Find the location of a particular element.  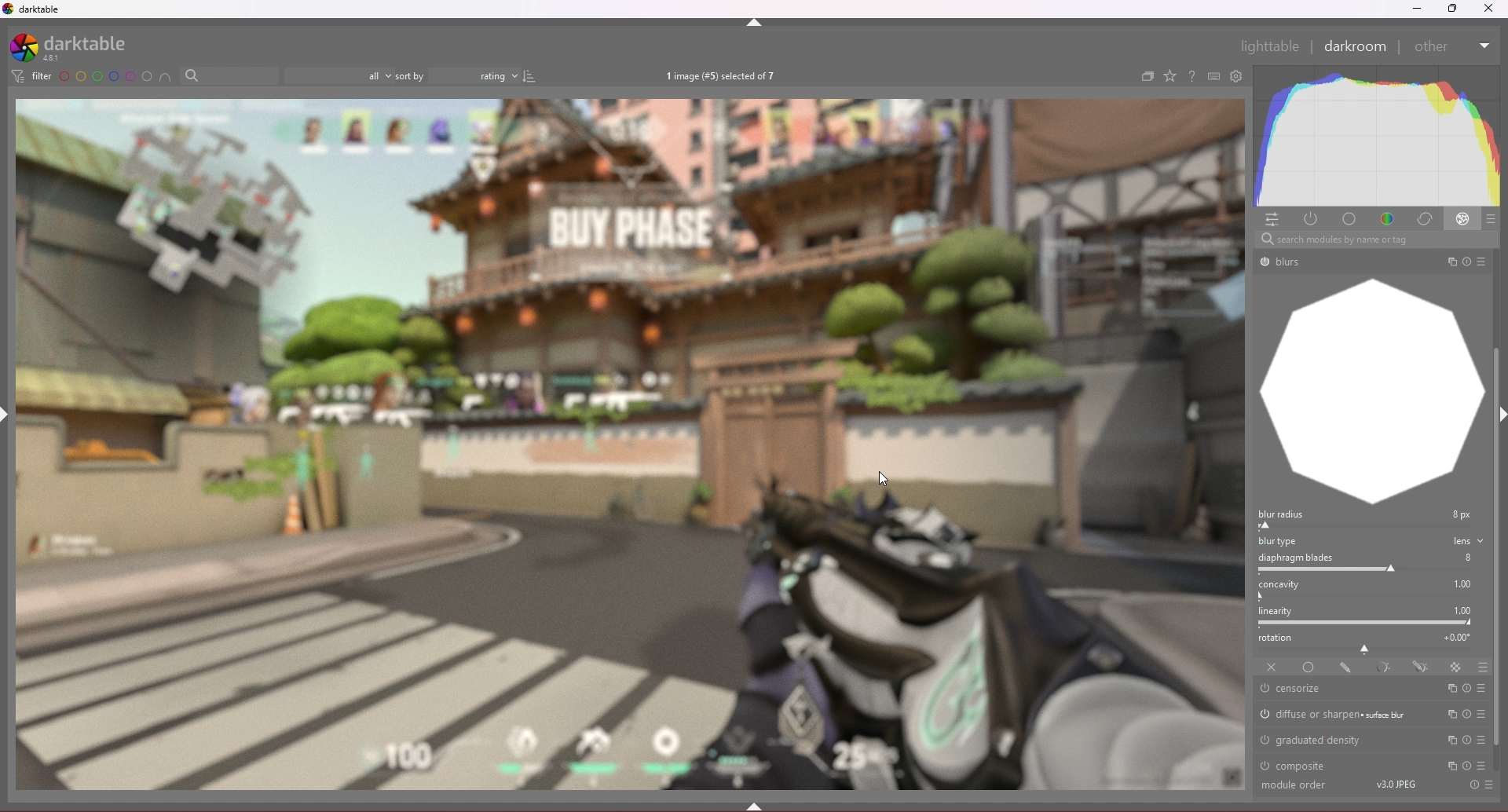

create group is located at coordinates (1147, 76).